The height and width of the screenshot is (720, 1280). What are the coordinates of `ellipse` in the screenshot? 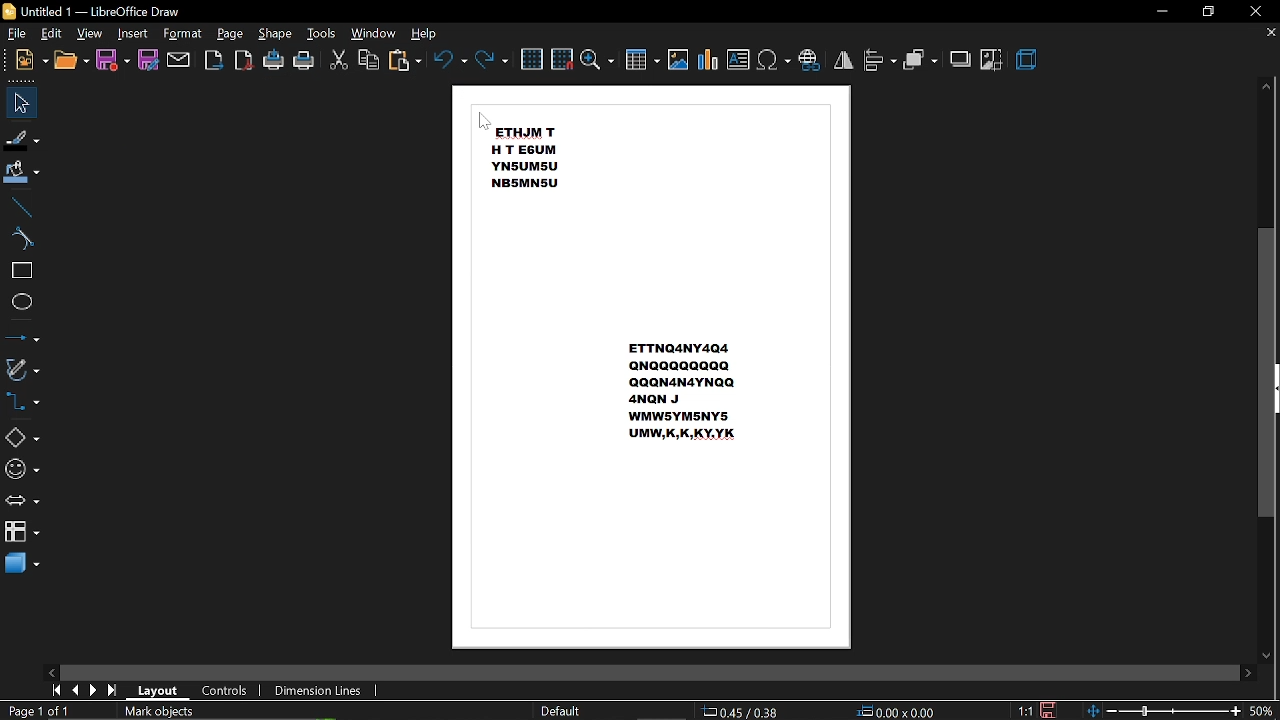 It's located at (21, 302).